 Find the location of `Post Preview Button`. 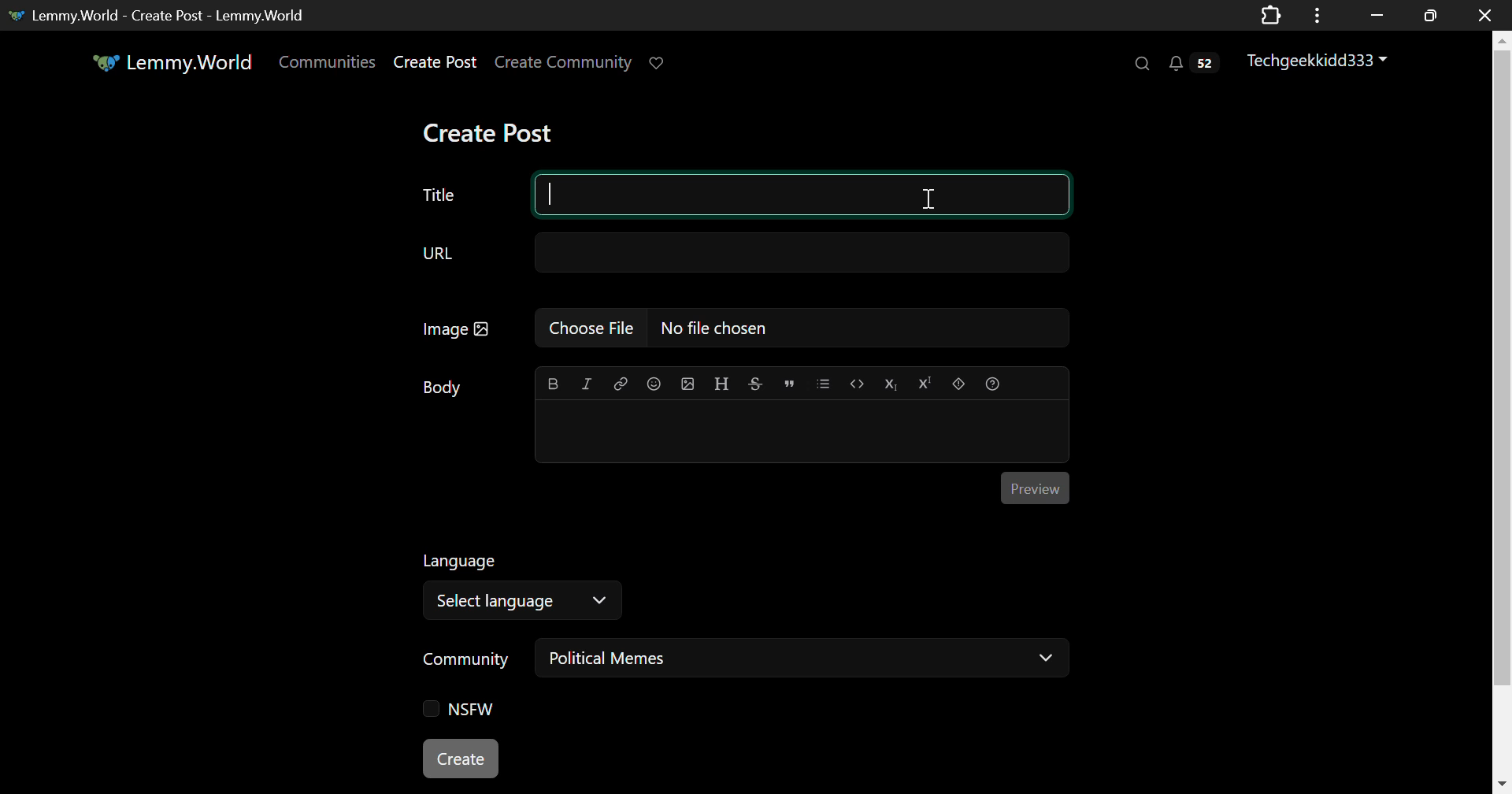

Post Preview Button is located at coordinates (1036, 488).